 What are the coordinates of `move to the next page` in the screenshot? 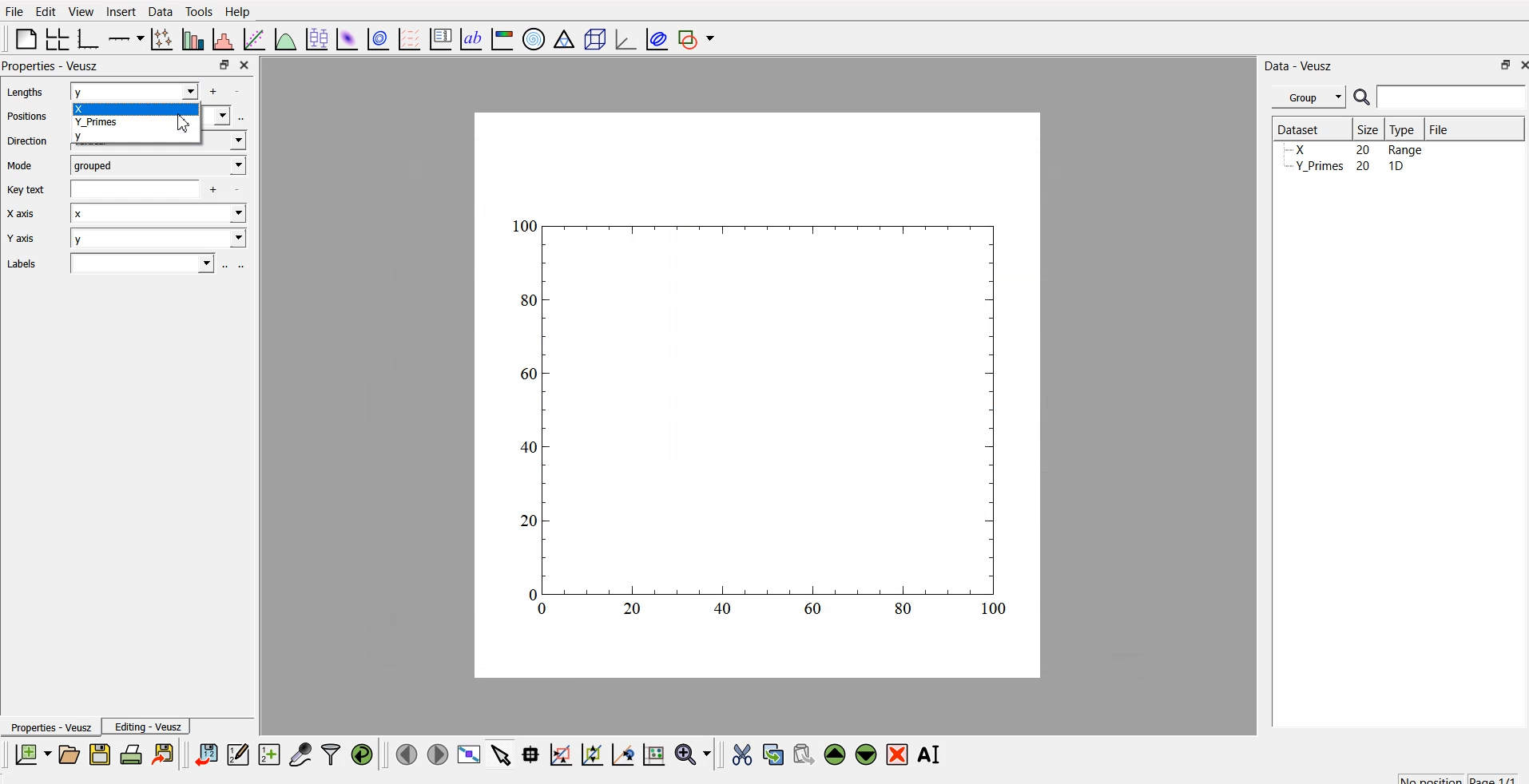 It's located at (436, 754).